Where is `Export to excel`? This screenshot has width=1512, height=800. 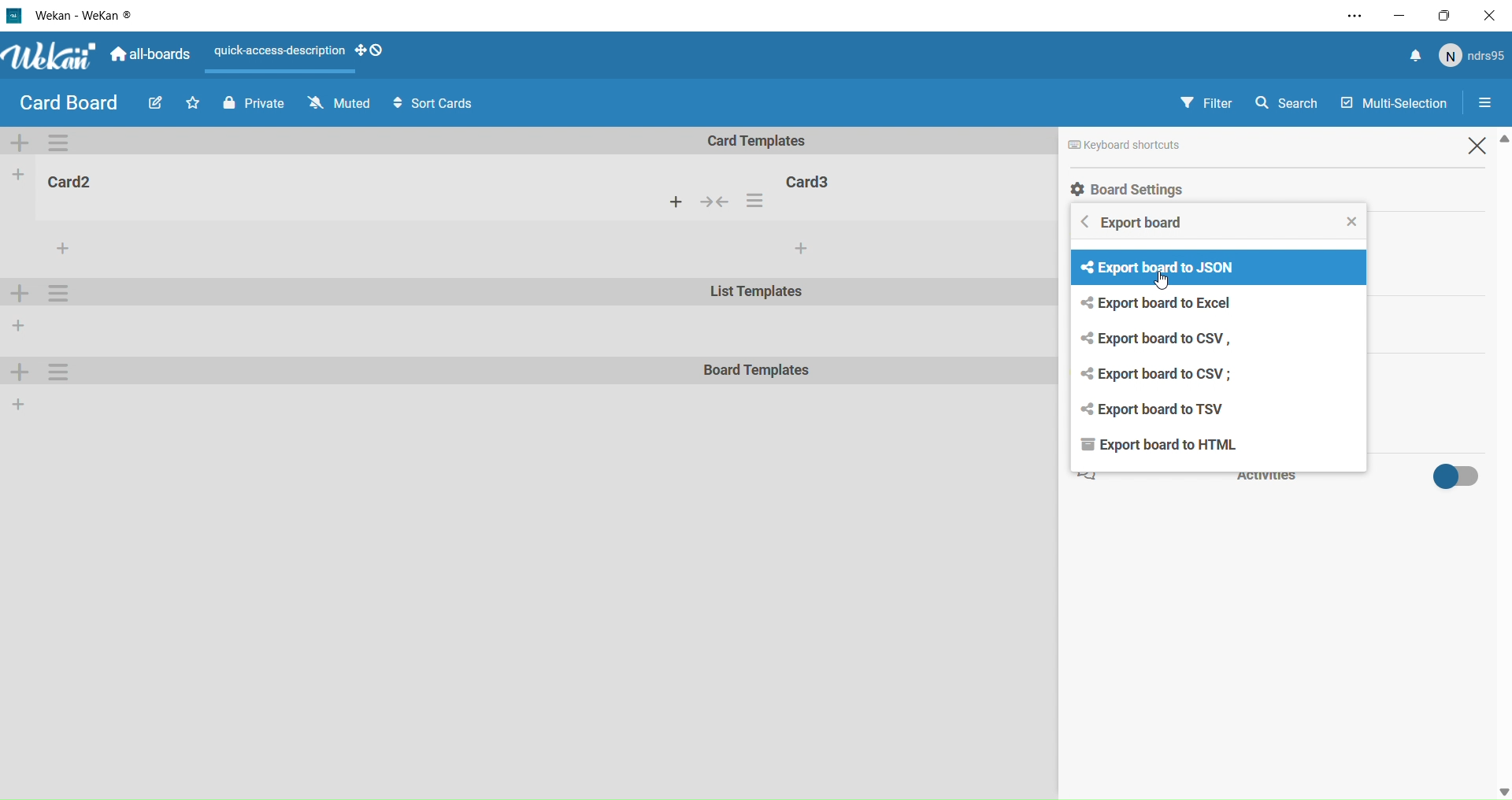
Export to excel is located at coordinates (1168, 306).